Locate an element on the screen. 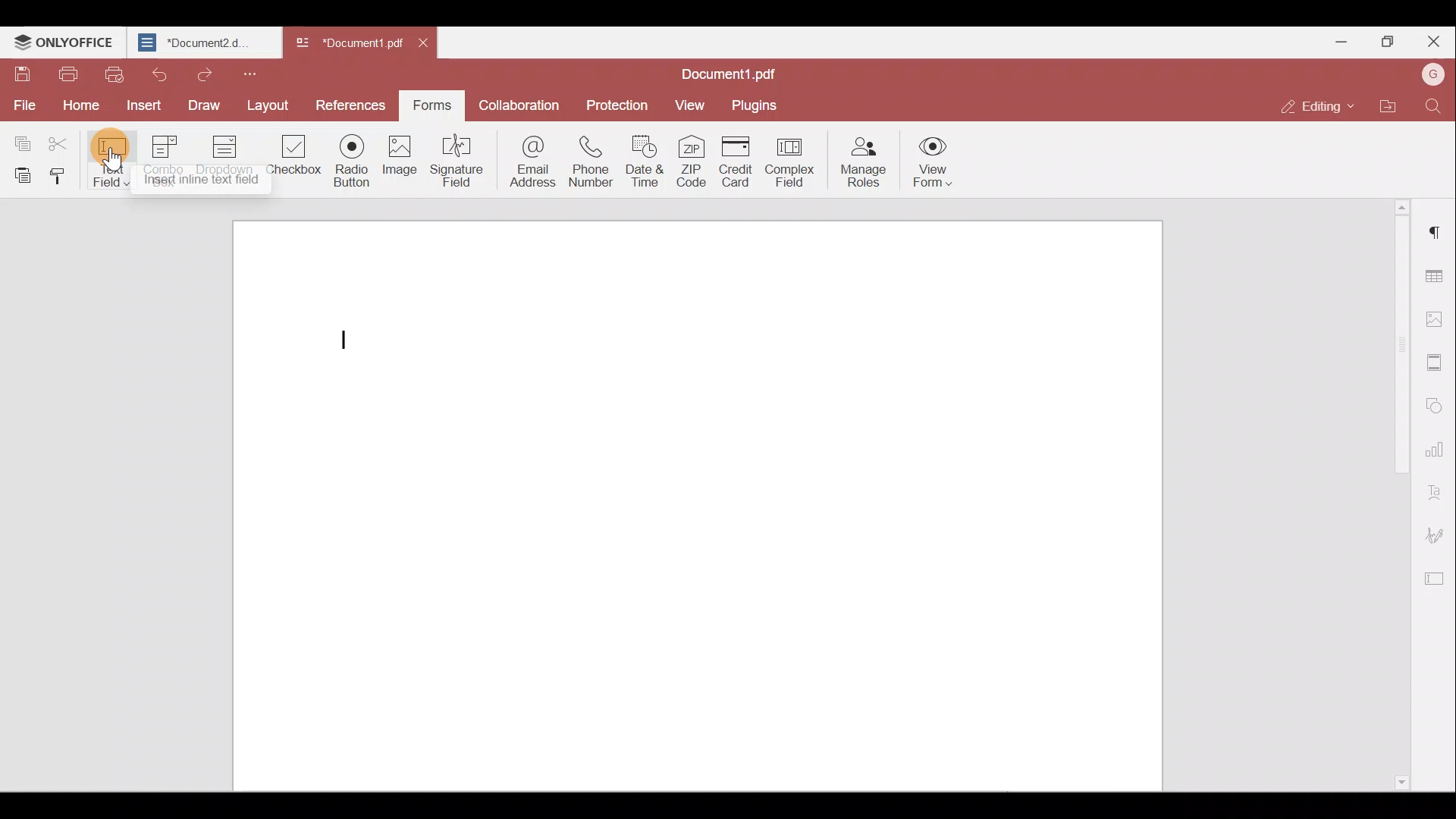 The width and height of the screenshot is (1456, 819). Redo is located at coordinates (204, 74).